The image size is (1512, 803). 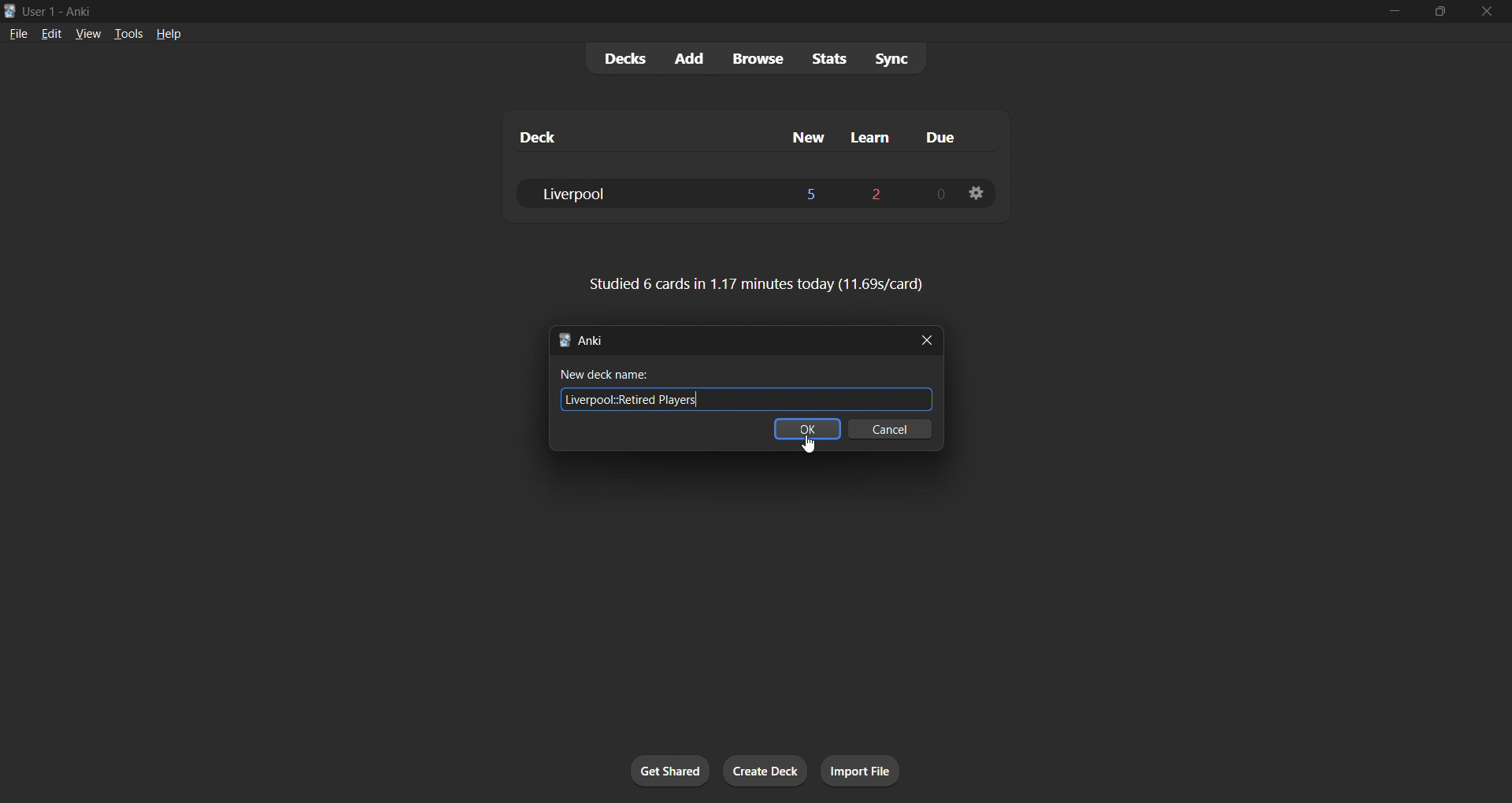 What do you see at coordinates (668, 769) in the screenshot?
I see `get shared` at bounding box center [668, 769].